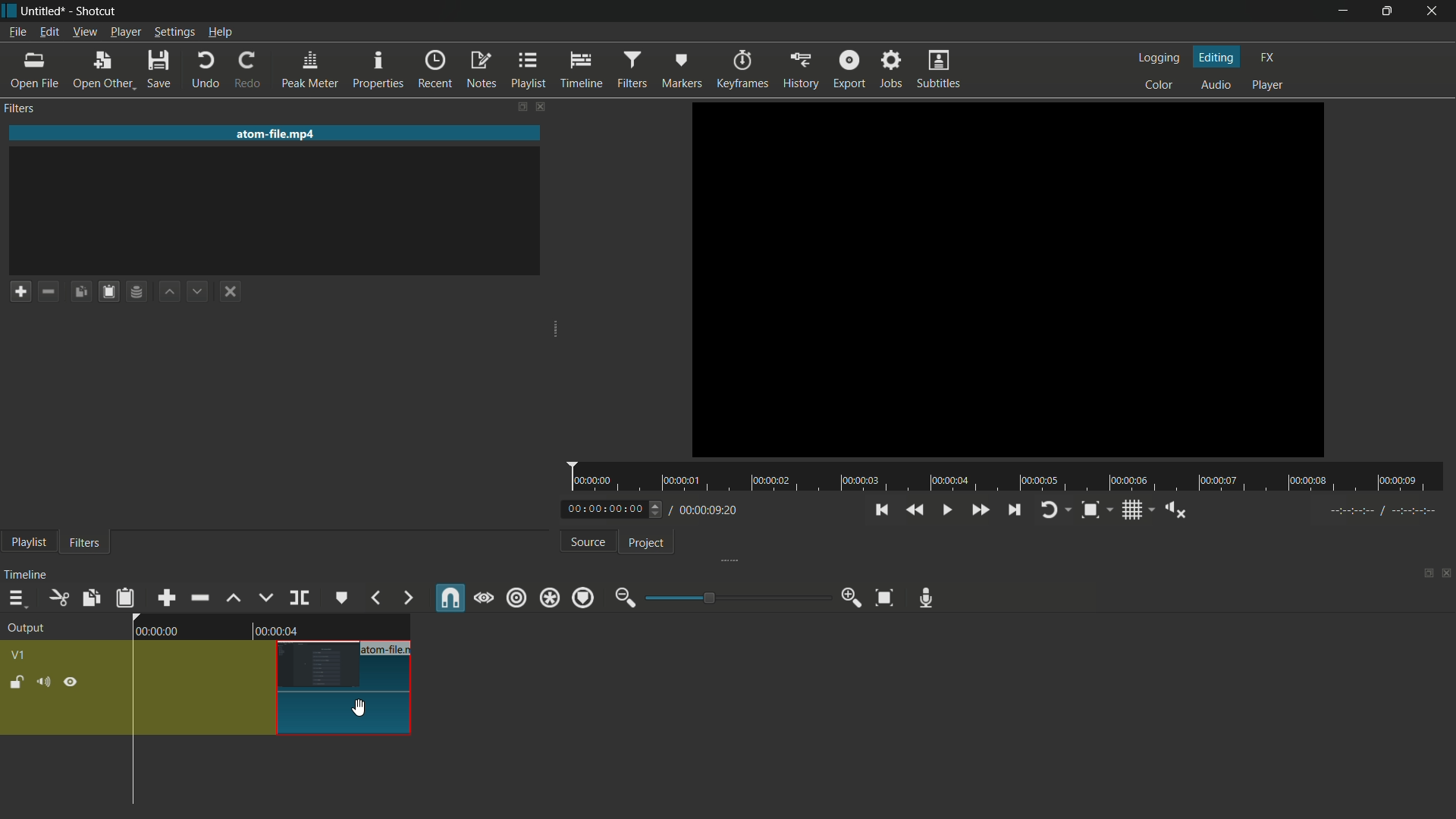 This screenshot has height=819, width=1456. Describe the element at coordinates (96, 11) in the screenshot. I see `app name` at that location.